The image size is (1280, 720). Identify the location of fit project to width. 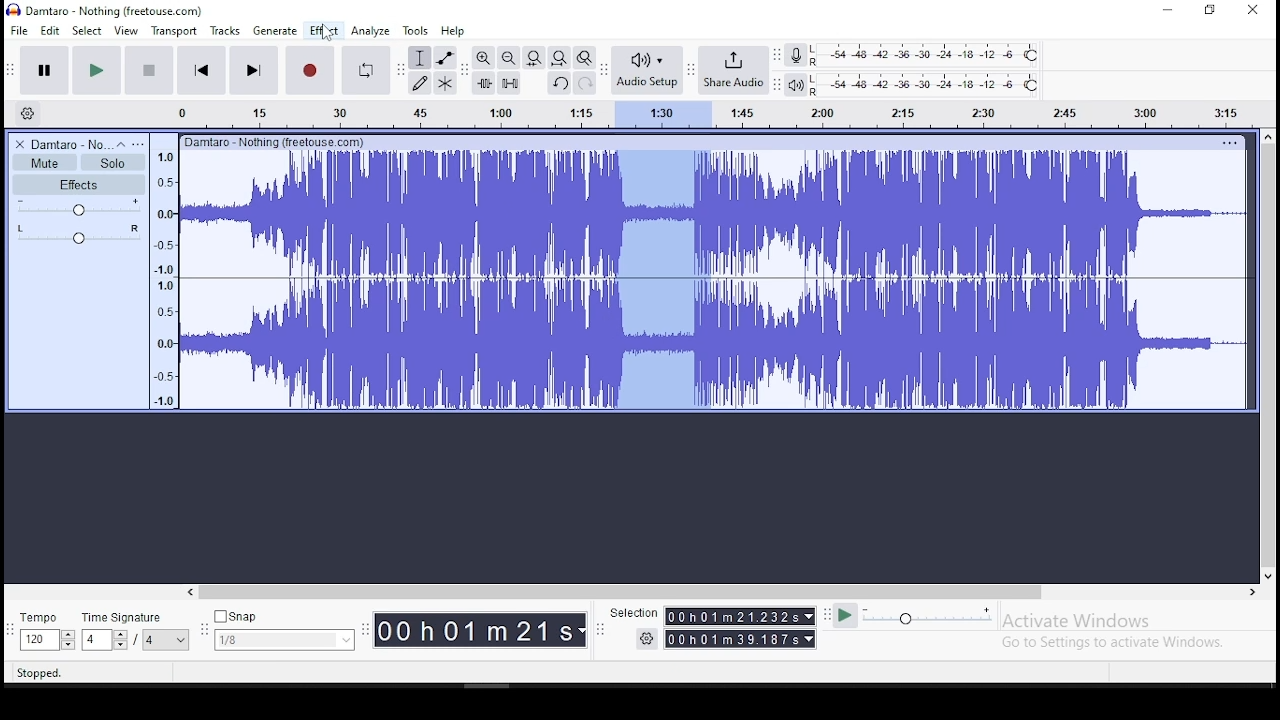
(559, 57).